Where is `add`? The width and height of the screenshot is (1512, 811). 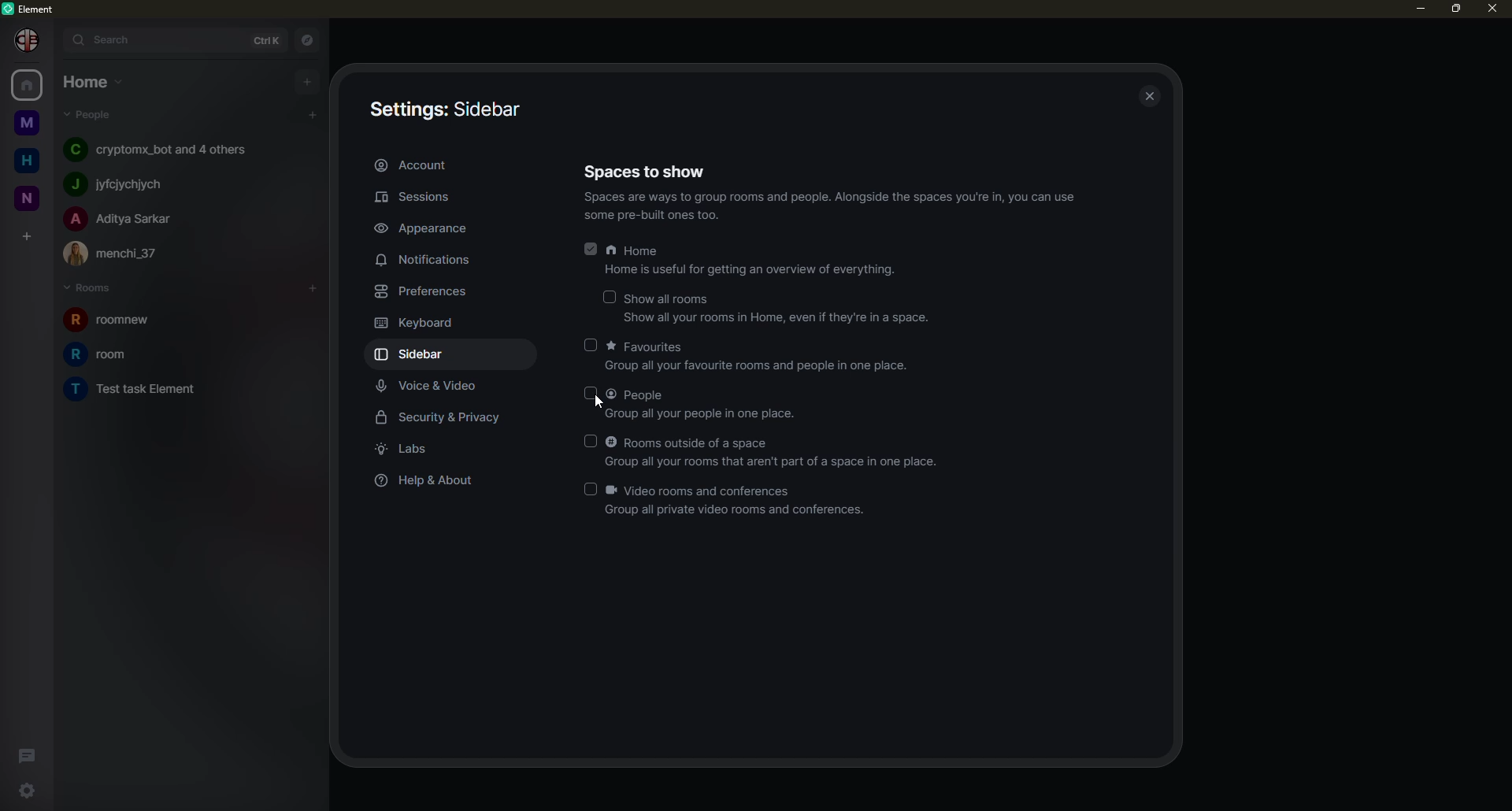 add is located at coordinates (308, 80).